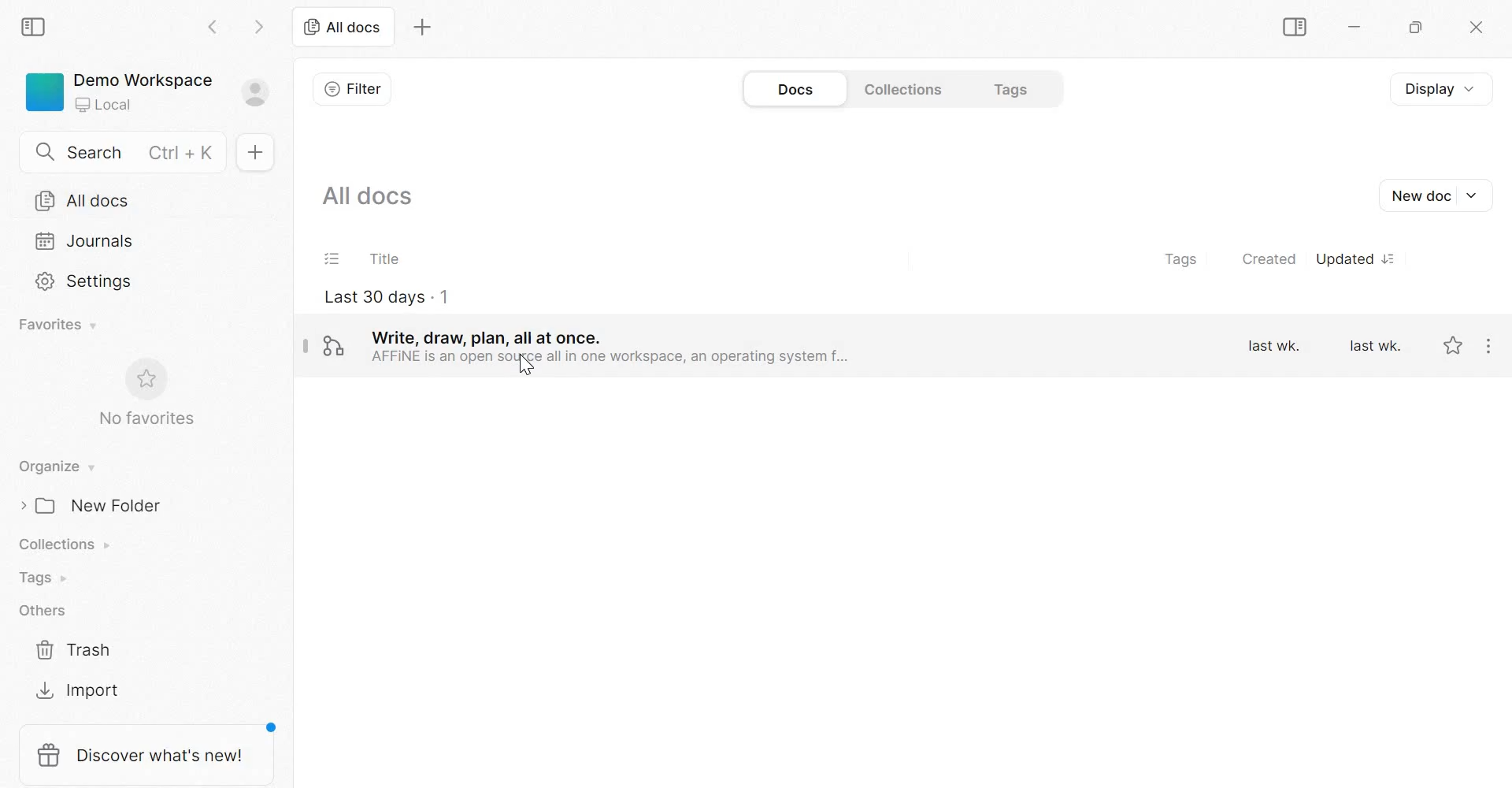  Describe the element at coordinates (335, 346) in the screenshot. I see `Edgeless mode` at that location.